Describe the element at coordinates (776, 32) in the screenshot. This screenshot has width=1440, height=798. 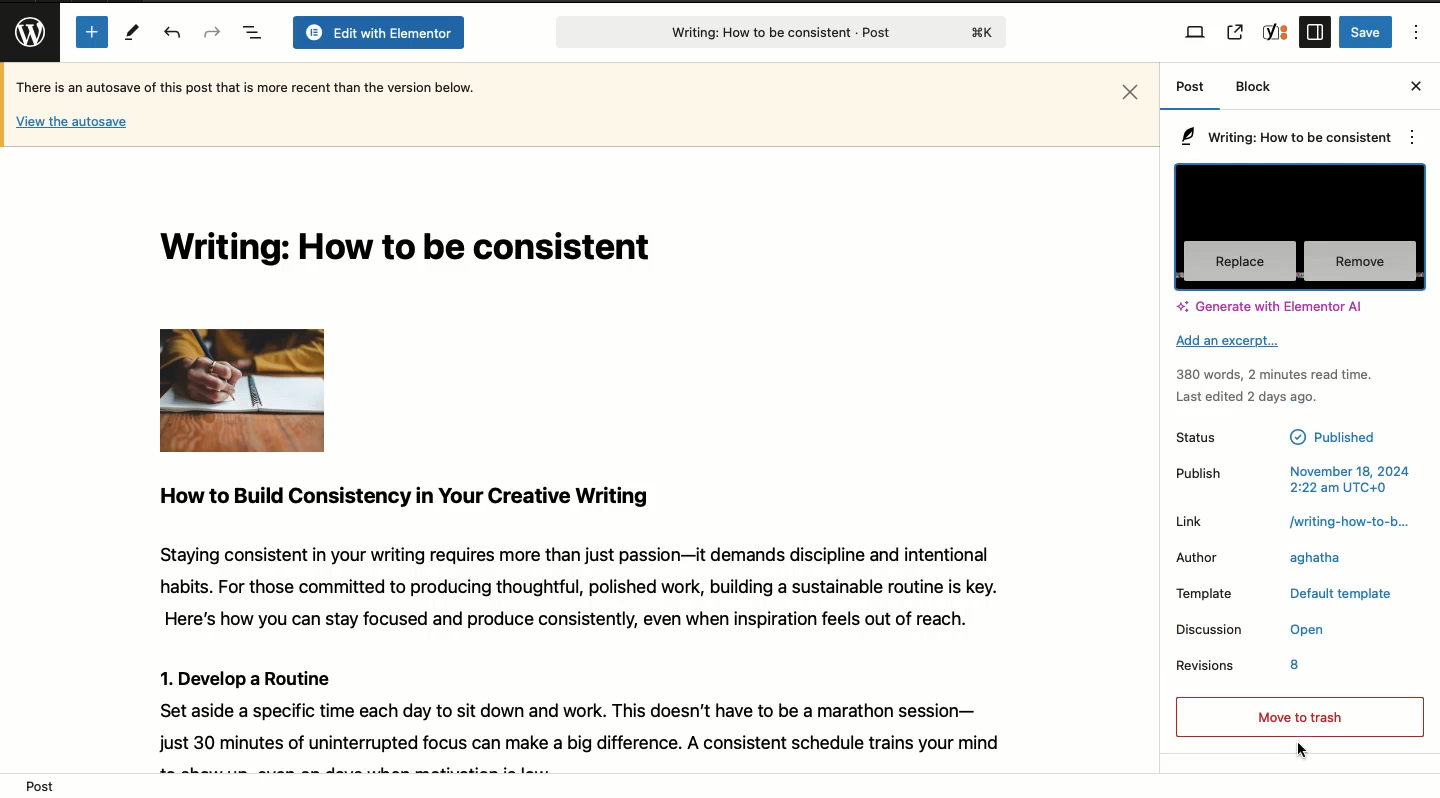
I see `Writing: How to be consistent - Post` at that location.